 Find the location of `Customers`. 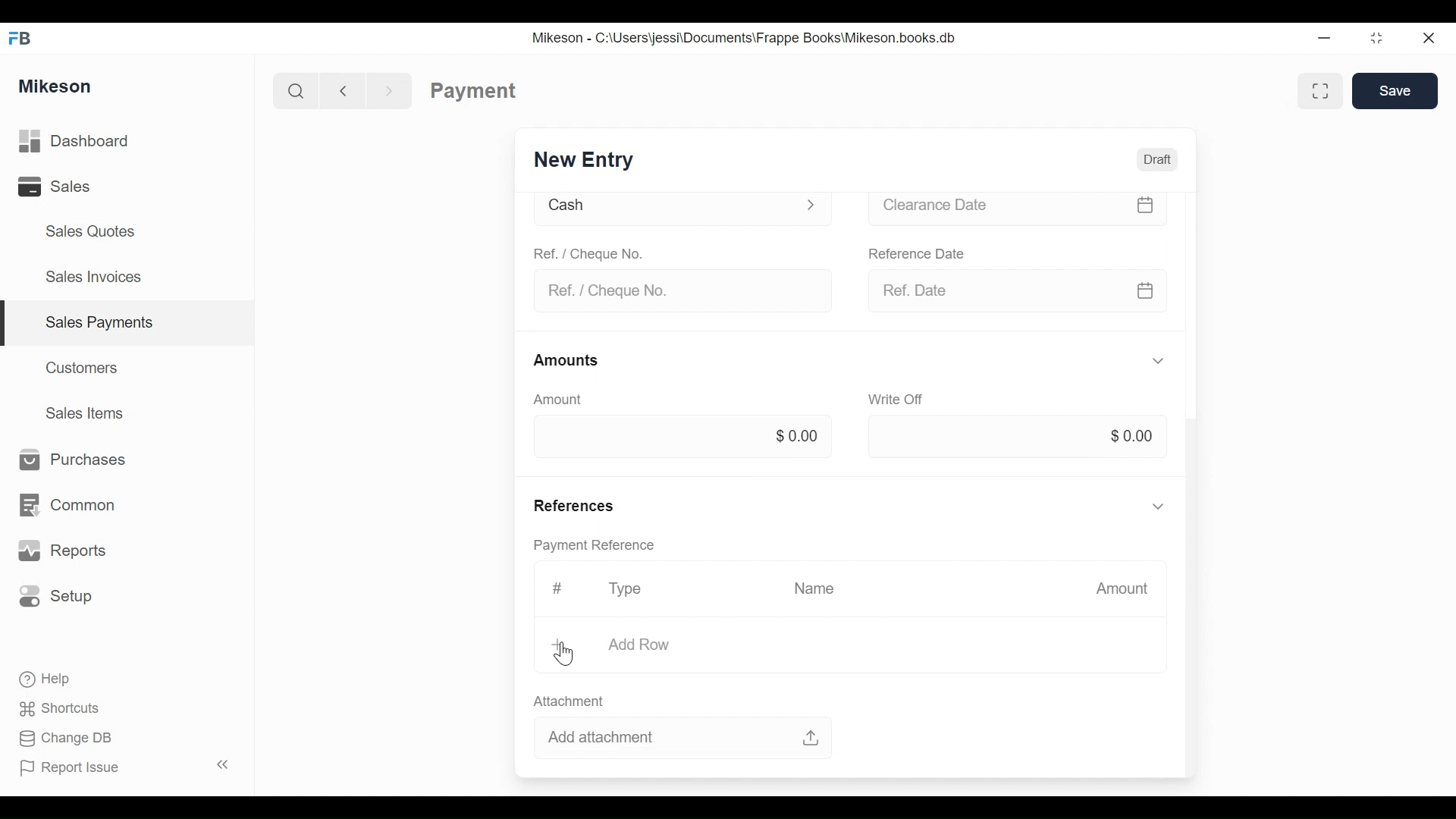

Customers is located at coordinates (86, 366).